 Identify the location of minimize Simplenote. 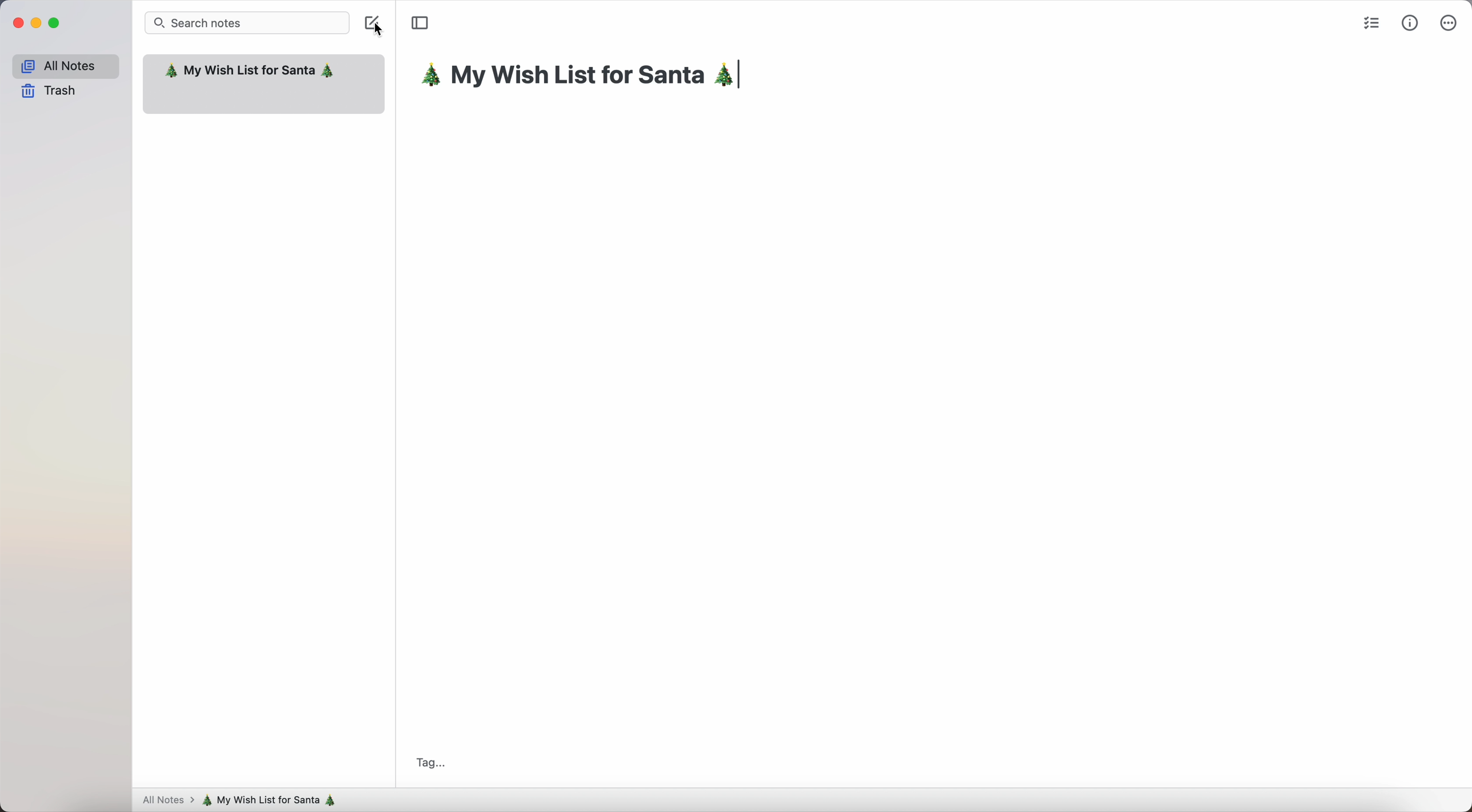
(36, 23).